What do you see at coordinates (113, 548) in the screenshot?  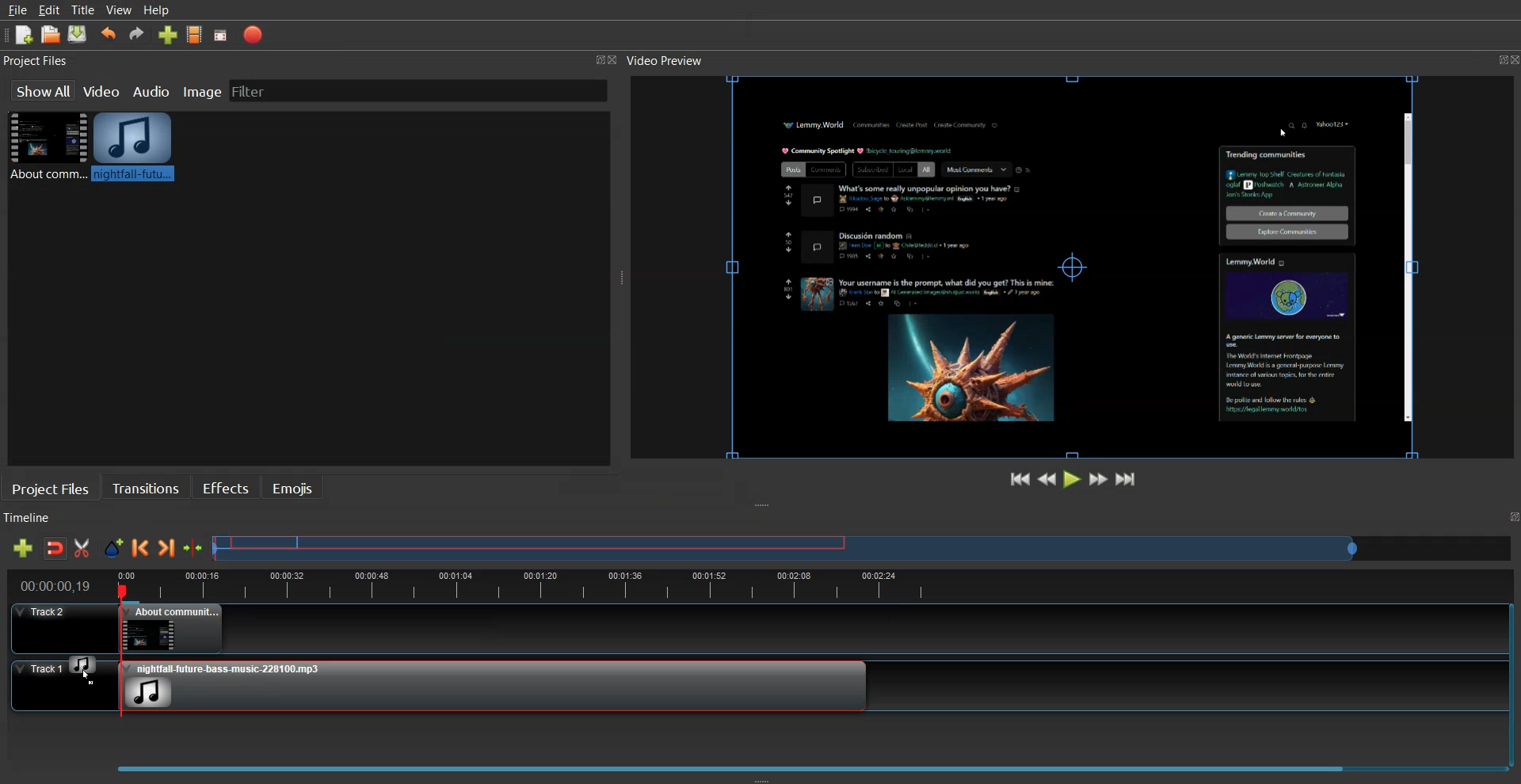 I see `Add Marker` at bounding box center [113, 548].